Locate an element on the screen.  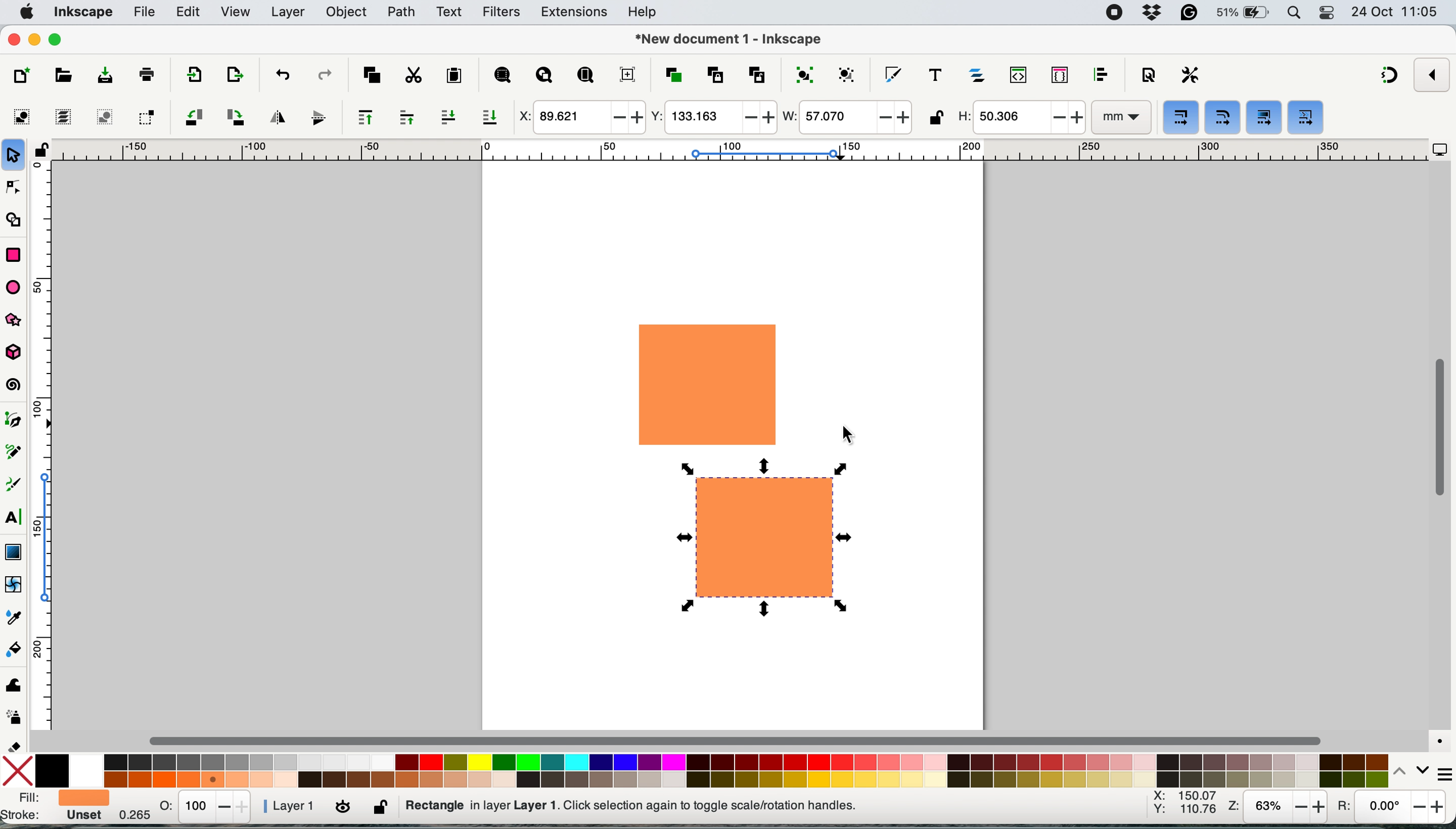
star and polygon tool is located at coordinates (19, 322).